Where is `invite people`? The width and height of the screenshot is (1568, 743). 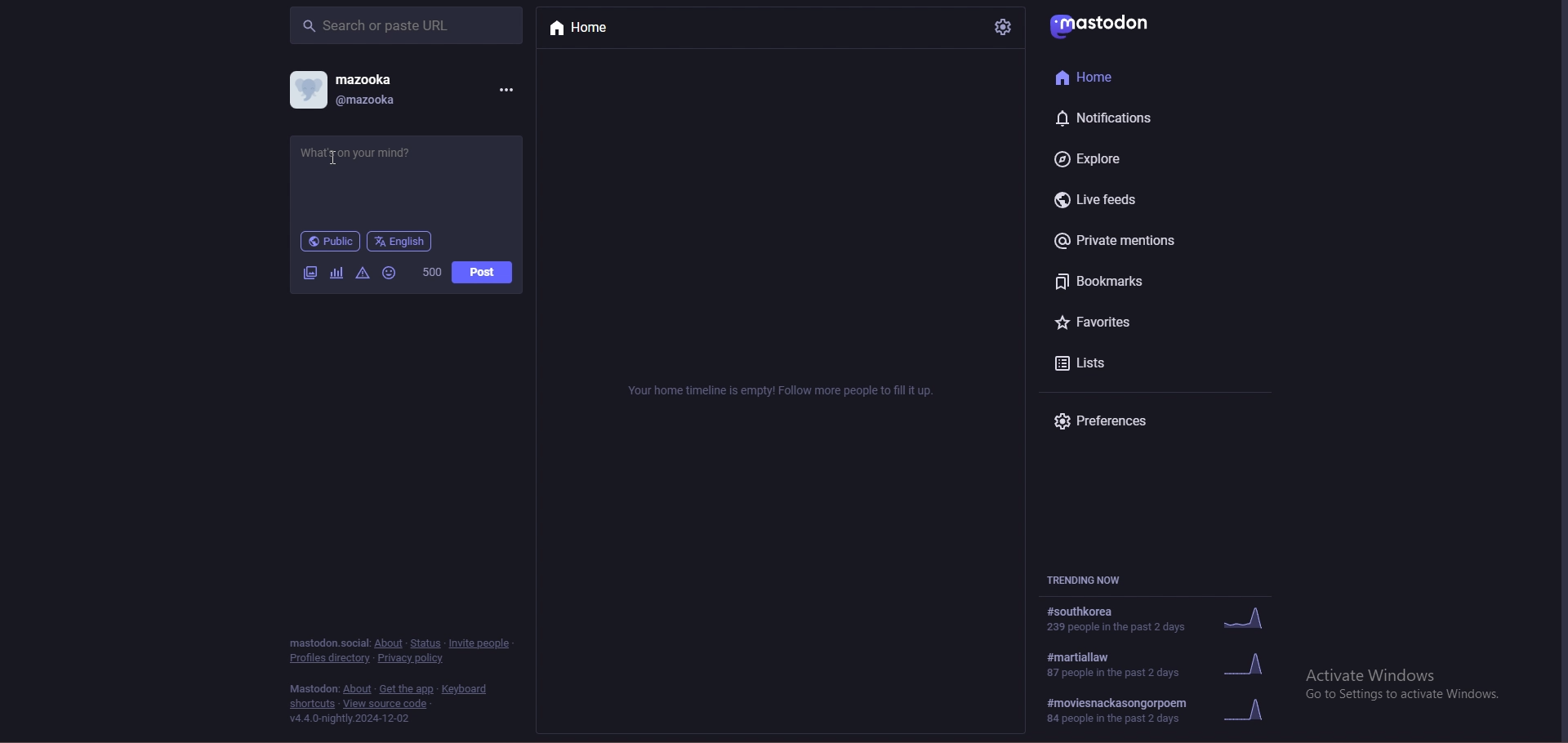 invite people is located at coordinates (481, 643).